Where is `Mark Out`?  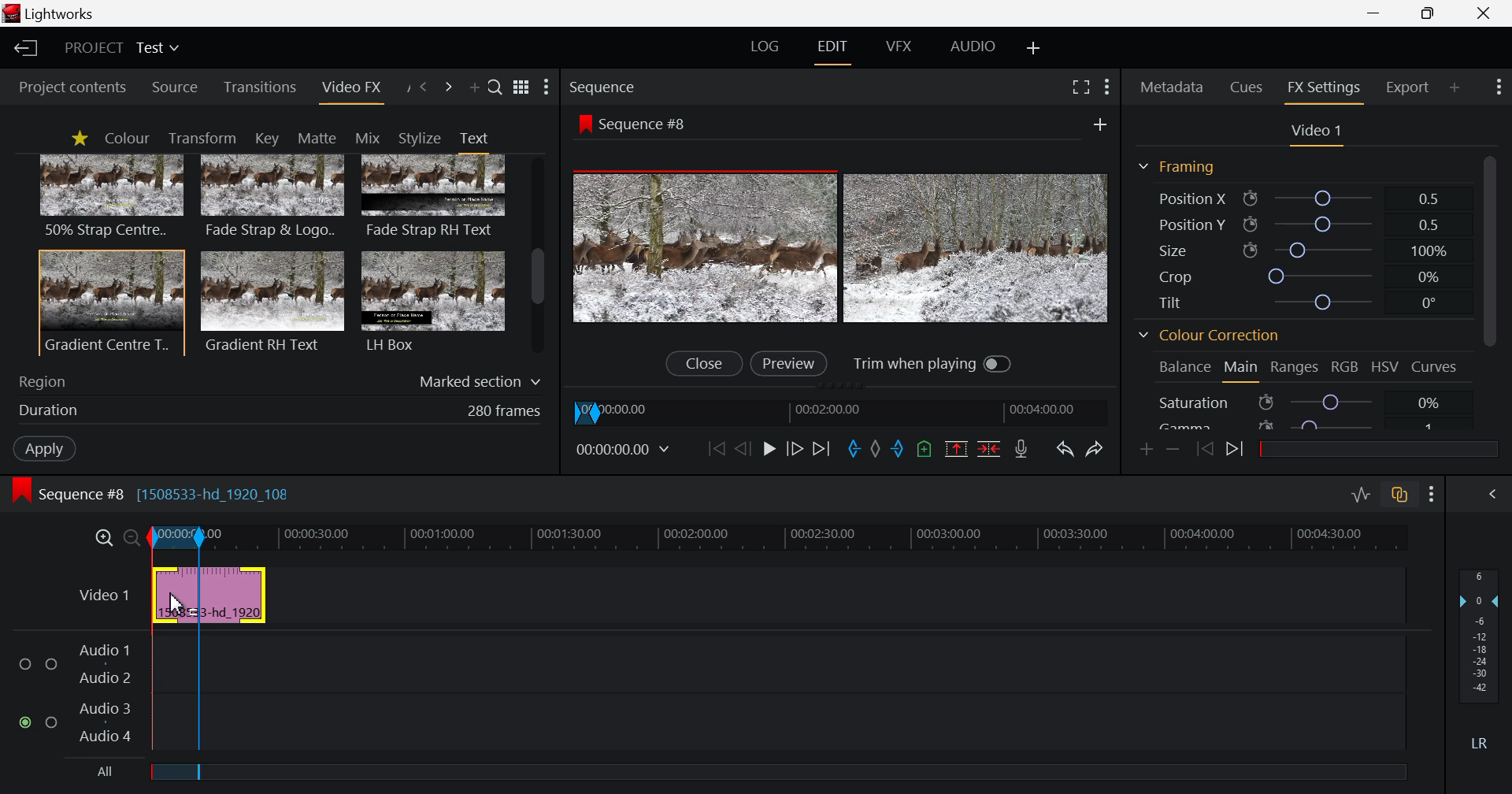 Mark Out is located at coordinates (898, 451).